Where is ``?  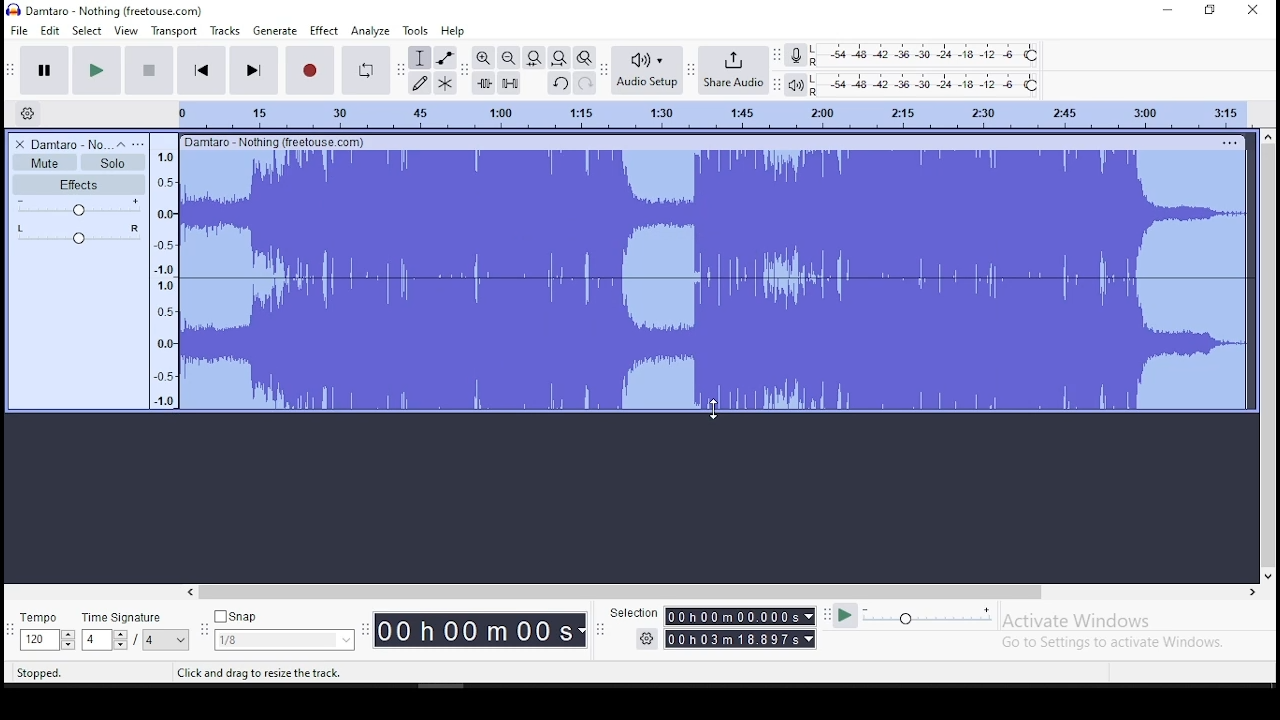  is located at coordinates (775, 55).